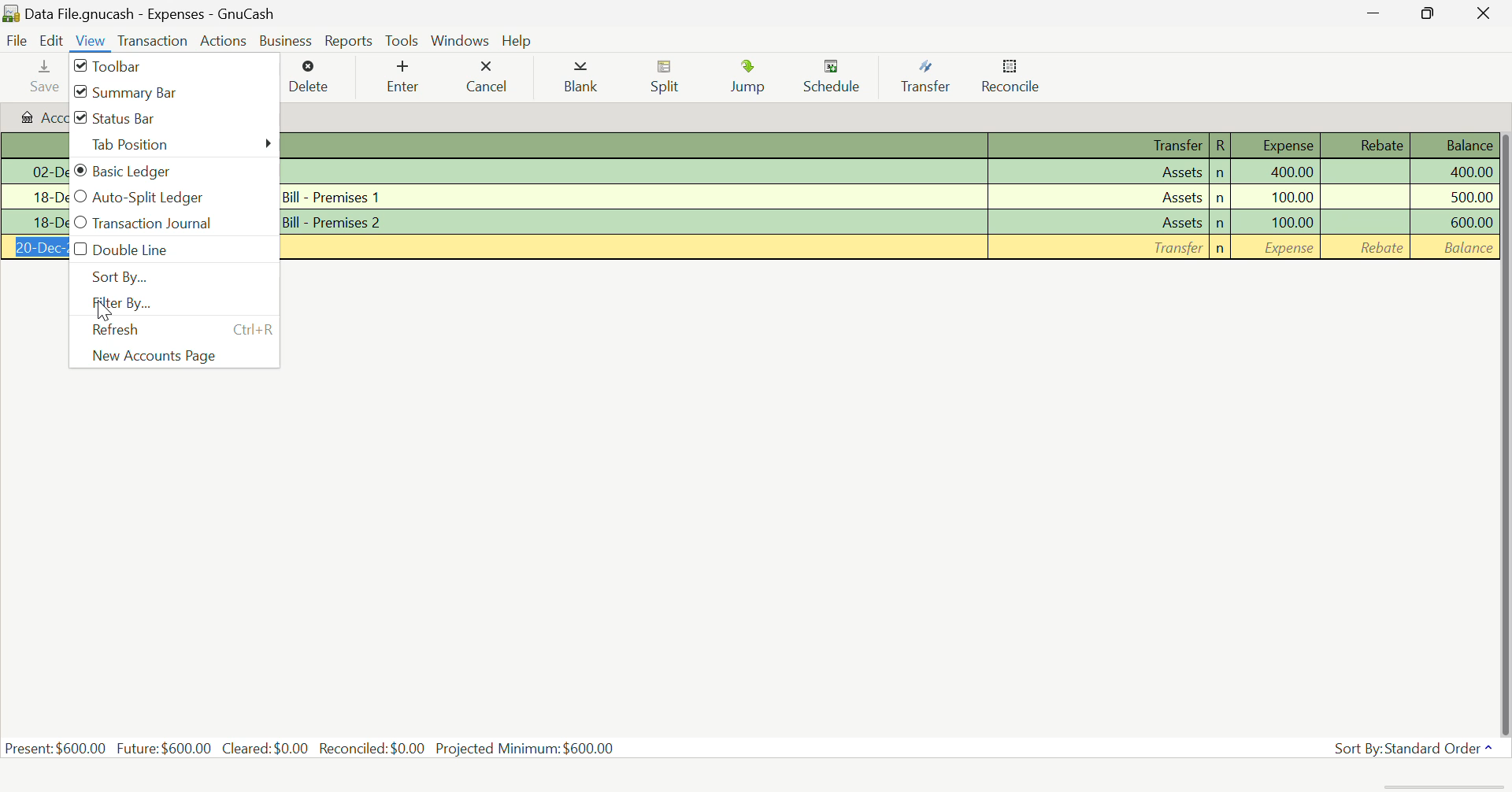  I want to click on Summary Bar, so click(173, 92).